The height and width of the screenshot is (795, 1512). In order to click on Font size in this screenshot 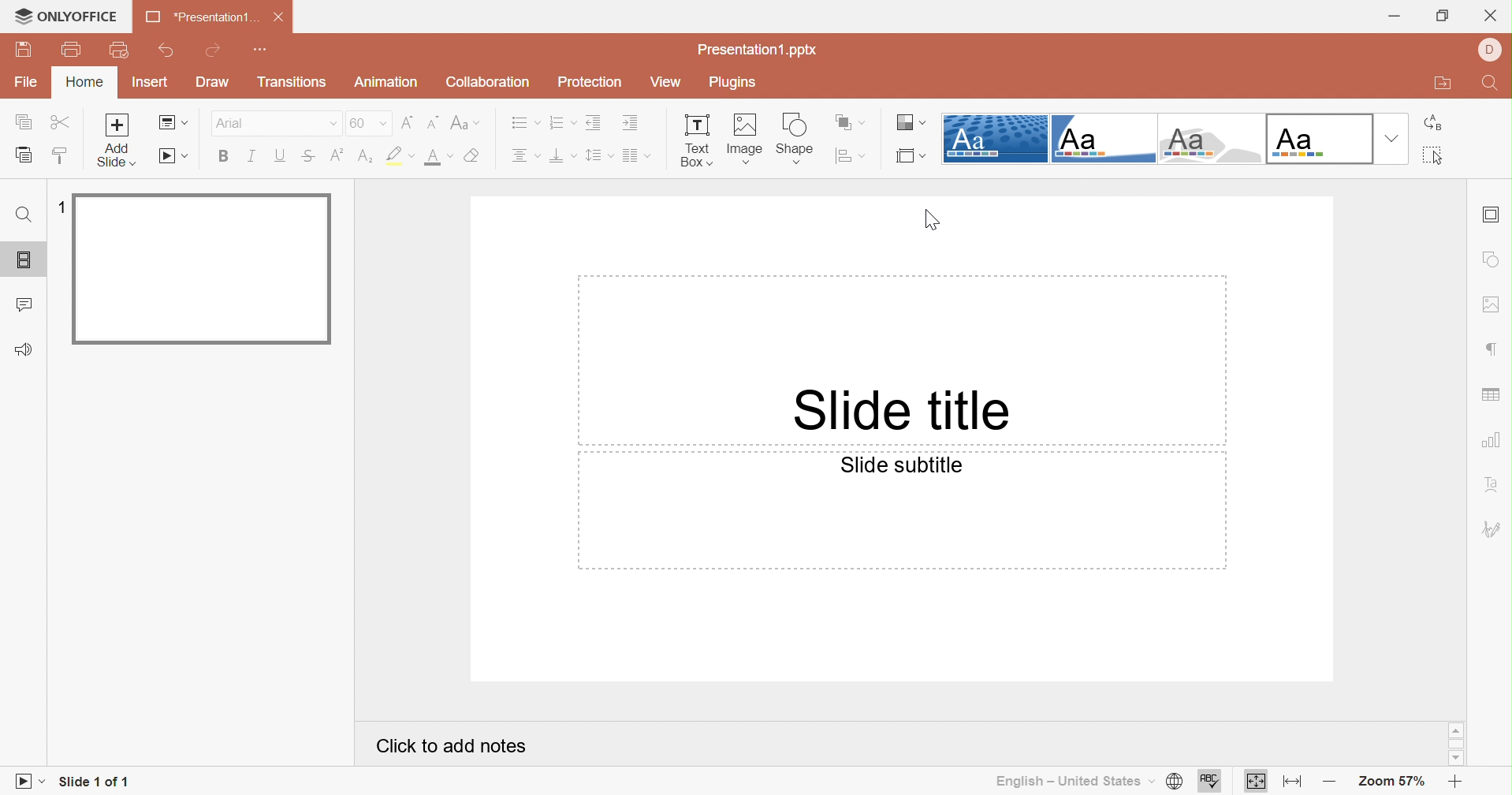, I will do `click(367, 121)`.